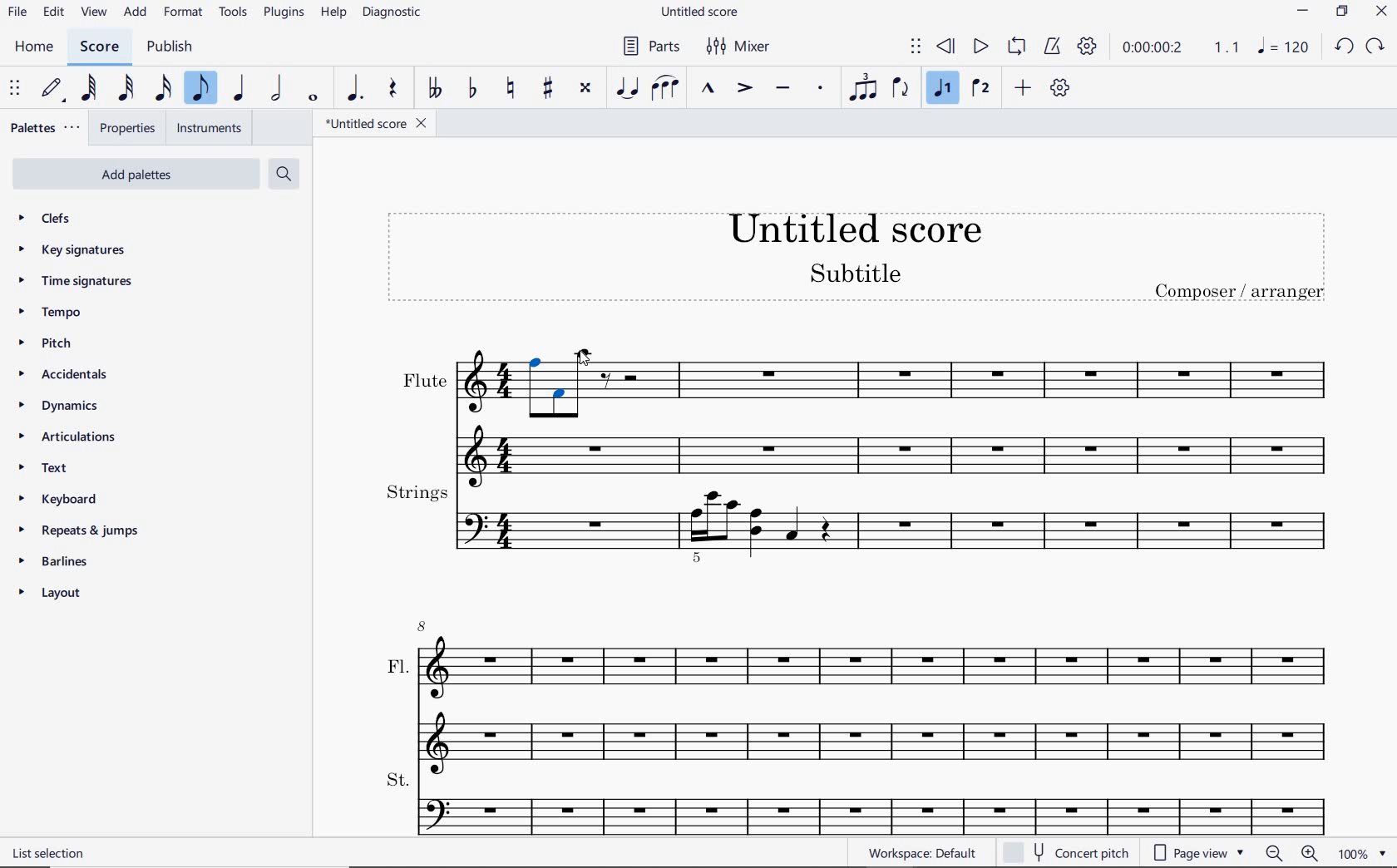 This screenshot has height=868, width=1397. What do you see at coordinates (76, 253) in the screenshot?
I see `key signatures` at bounding box center [76, 253].